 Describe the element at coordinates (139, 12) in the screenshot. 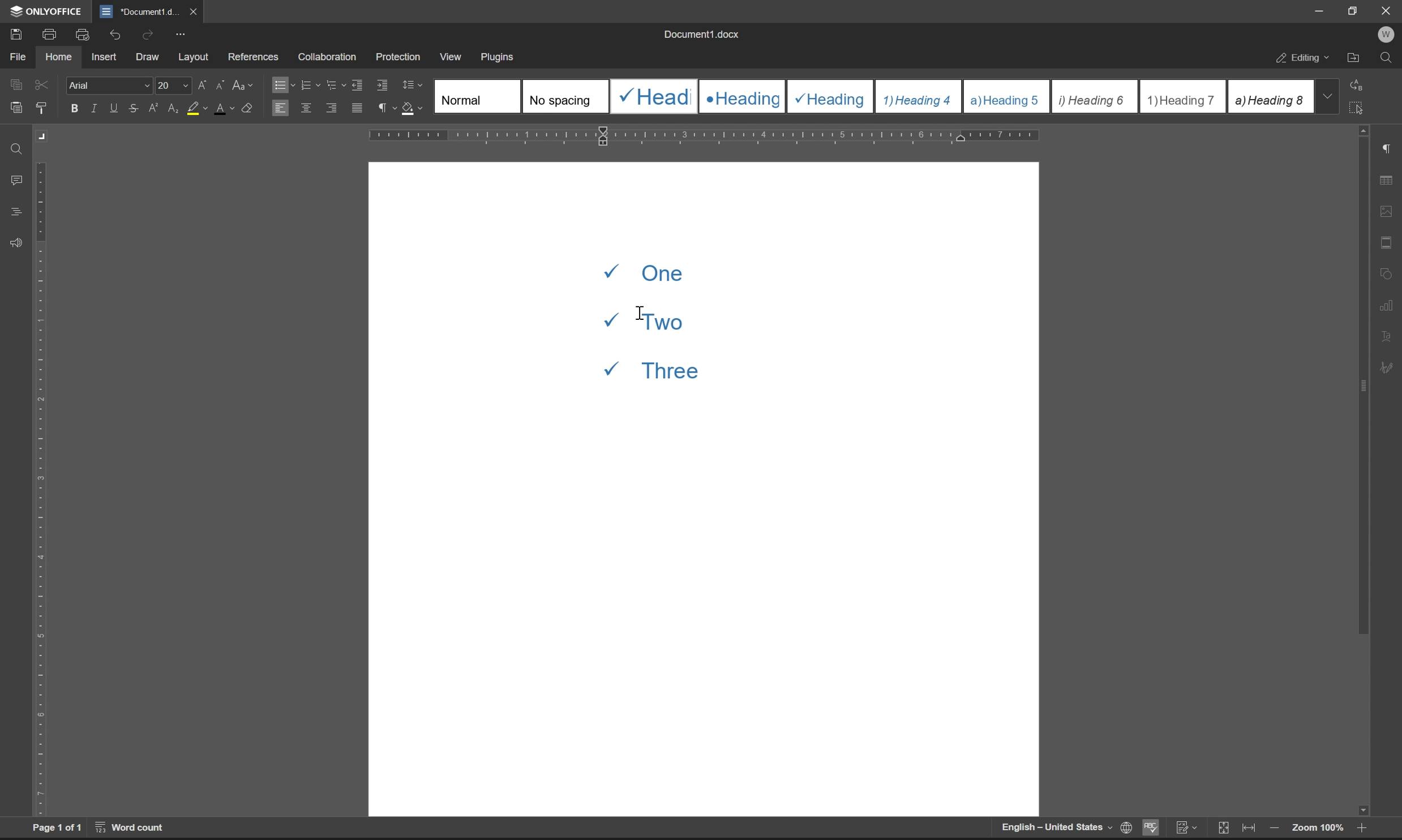

I see `document1` at that location.